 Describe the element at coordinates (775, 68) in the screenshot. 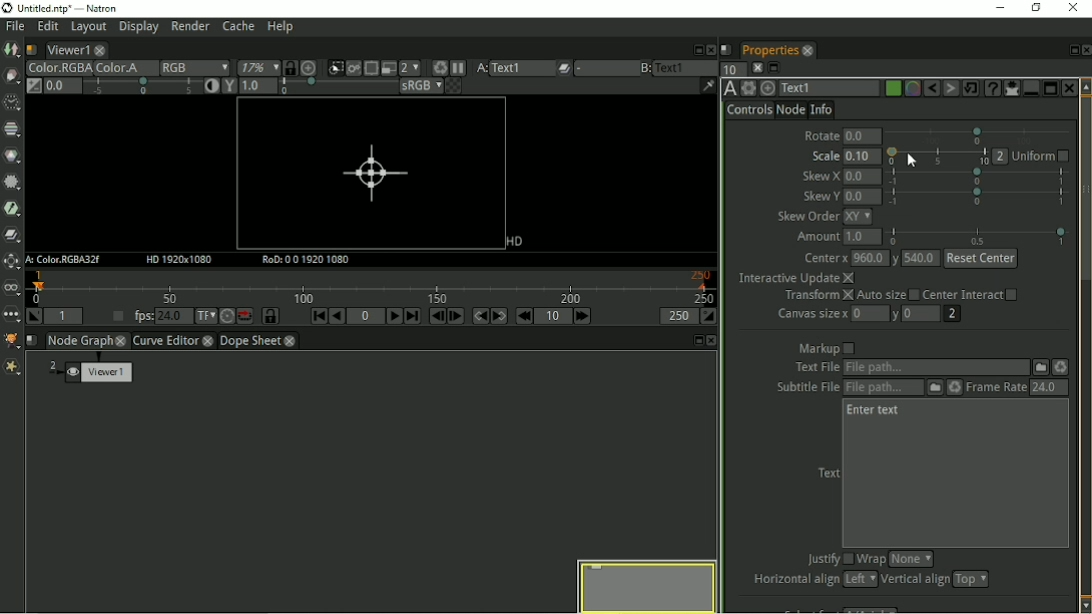

I see `Float pane` at that location.